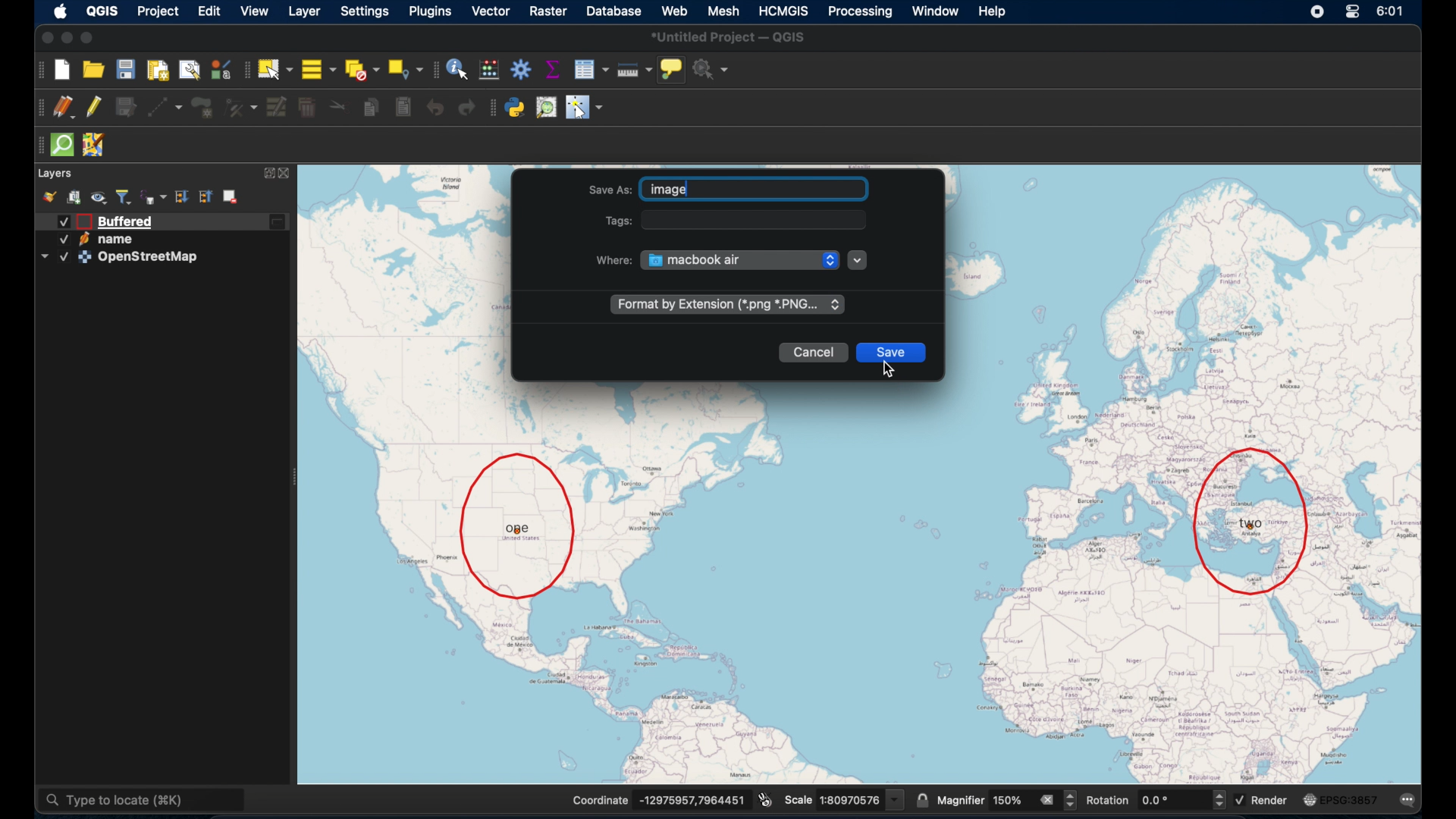 This screenshot has height=819, width=1456. I want to click on show layout manager, so click(188, 69).